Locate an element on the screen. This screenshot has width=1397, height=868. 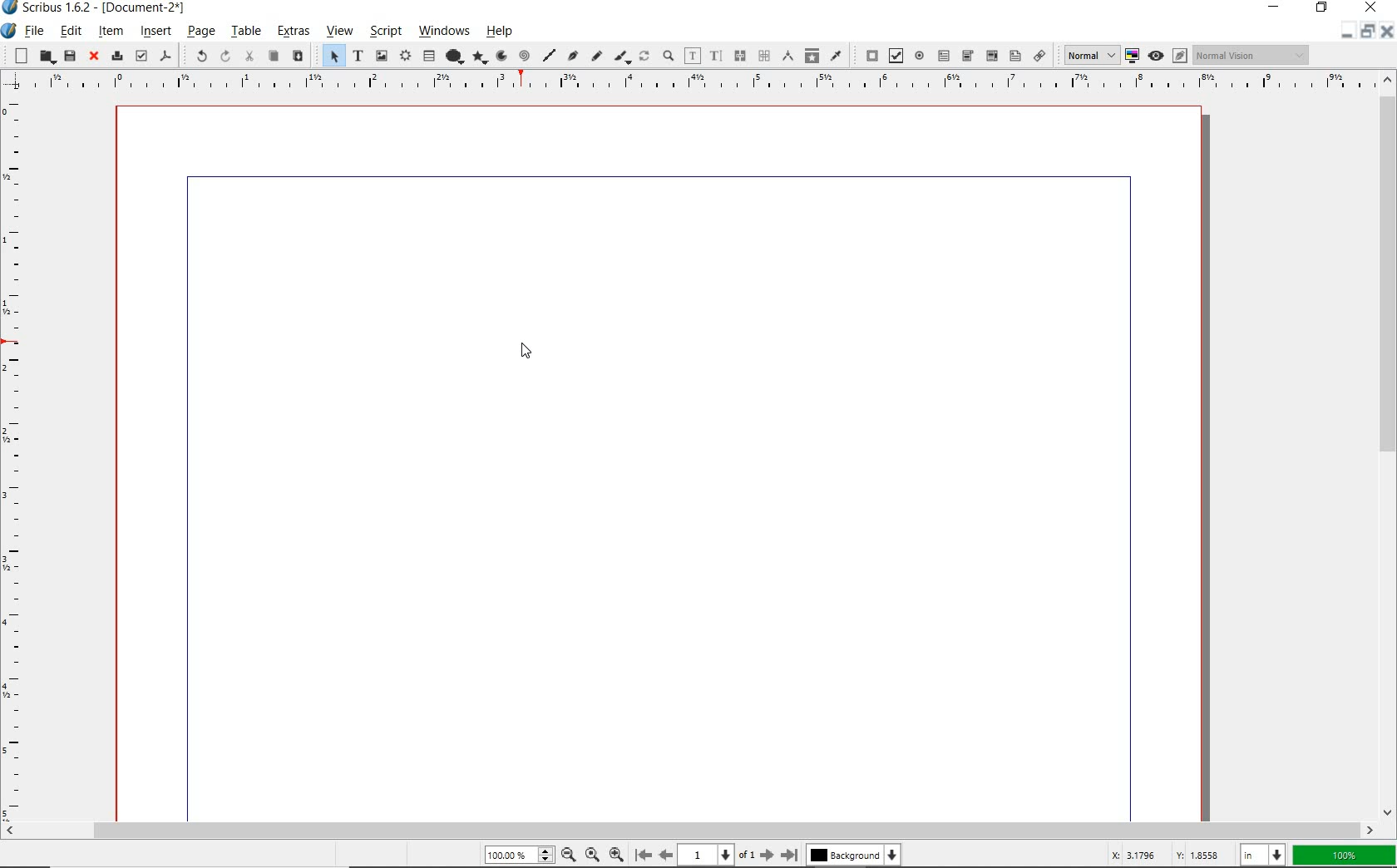
edit is located at coordinates (70, 30).